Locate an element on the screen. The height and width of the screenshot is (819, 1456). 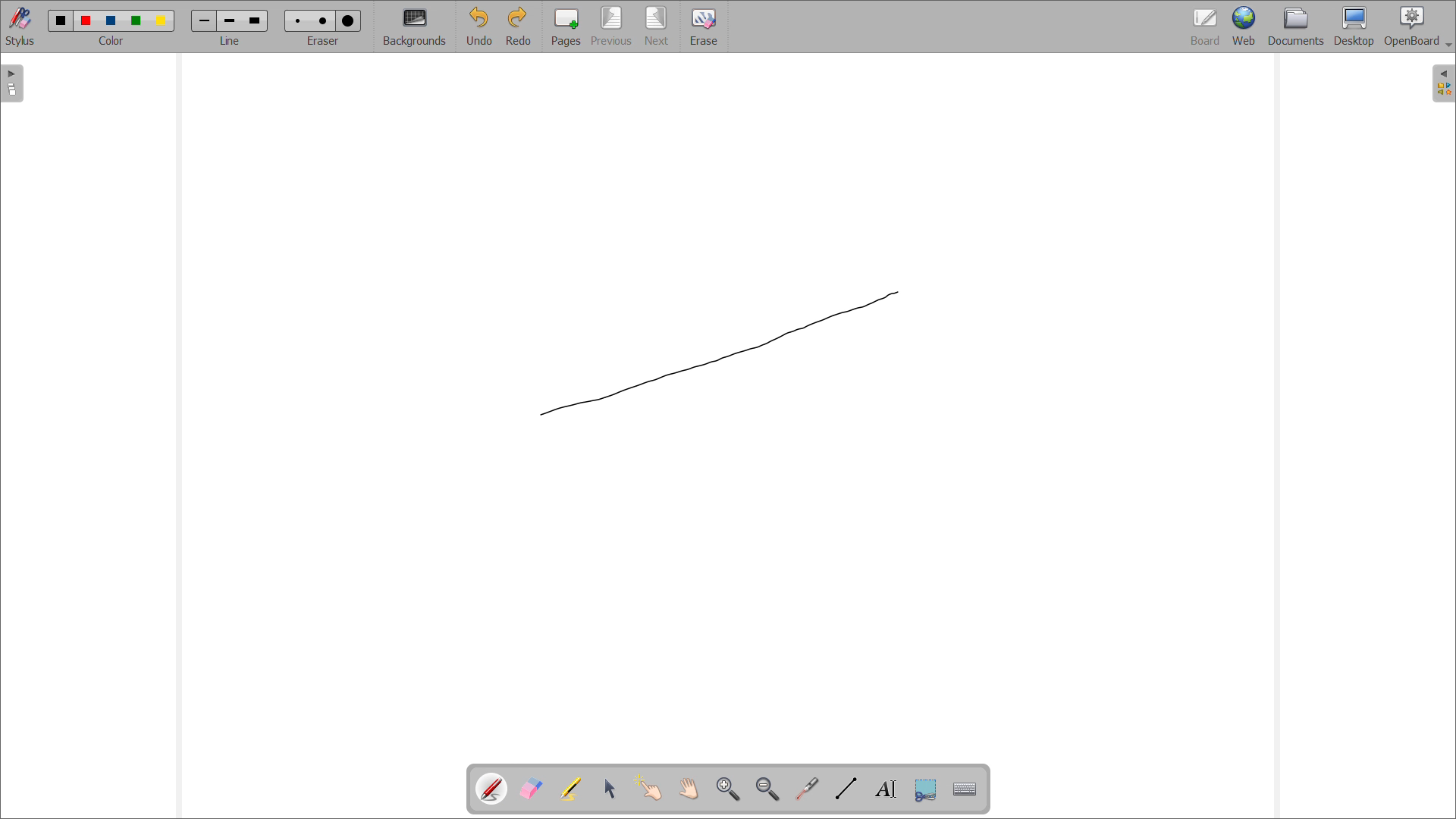
draw lines is located at coordinates (846, 789).